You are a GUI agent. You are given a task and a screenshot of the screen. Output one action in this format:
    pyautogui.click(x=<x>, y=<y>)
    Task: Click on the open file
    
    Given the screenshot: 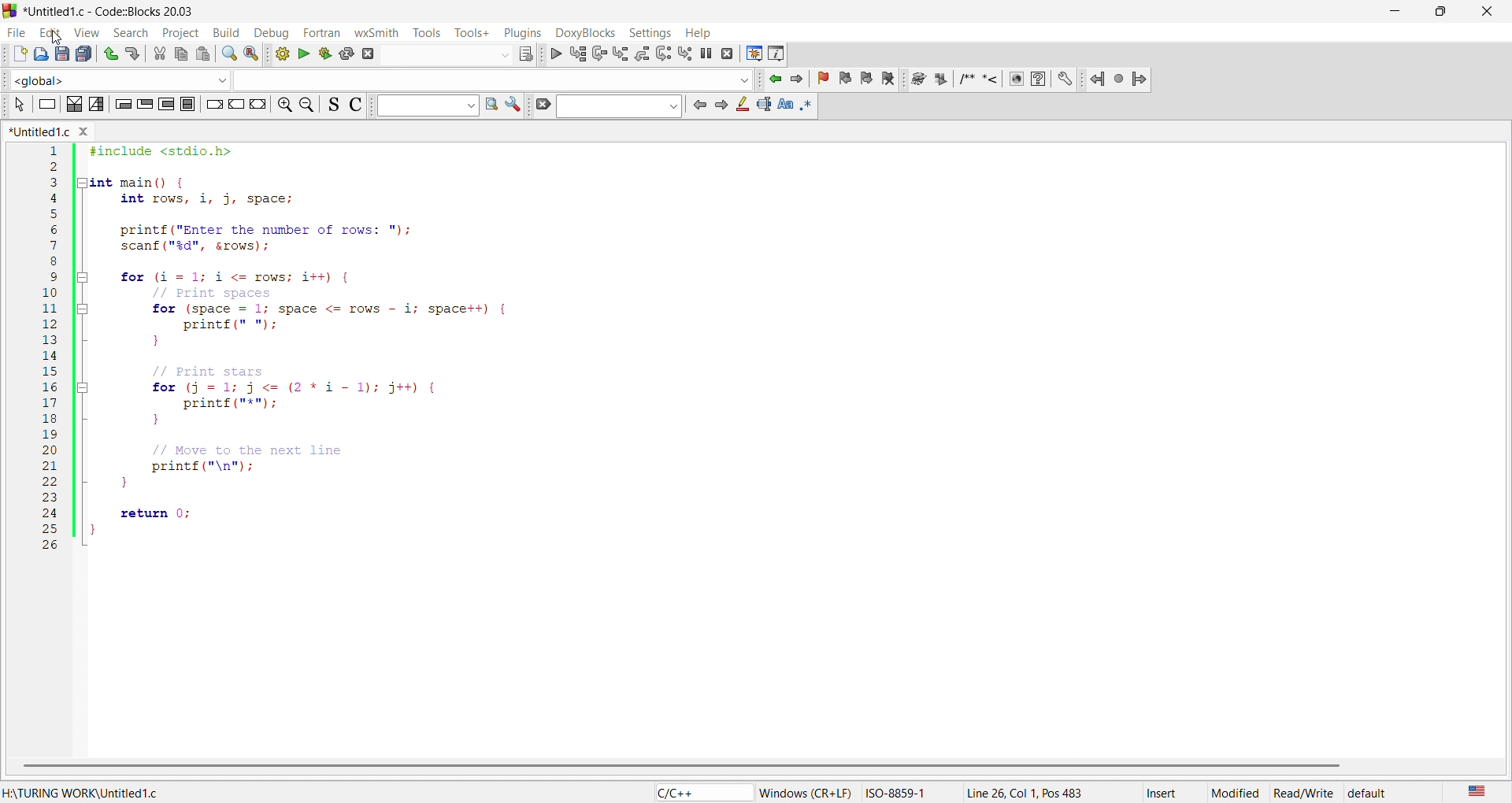 What is the action you would take?
    pyautogui.click(x=41, y=54)
    